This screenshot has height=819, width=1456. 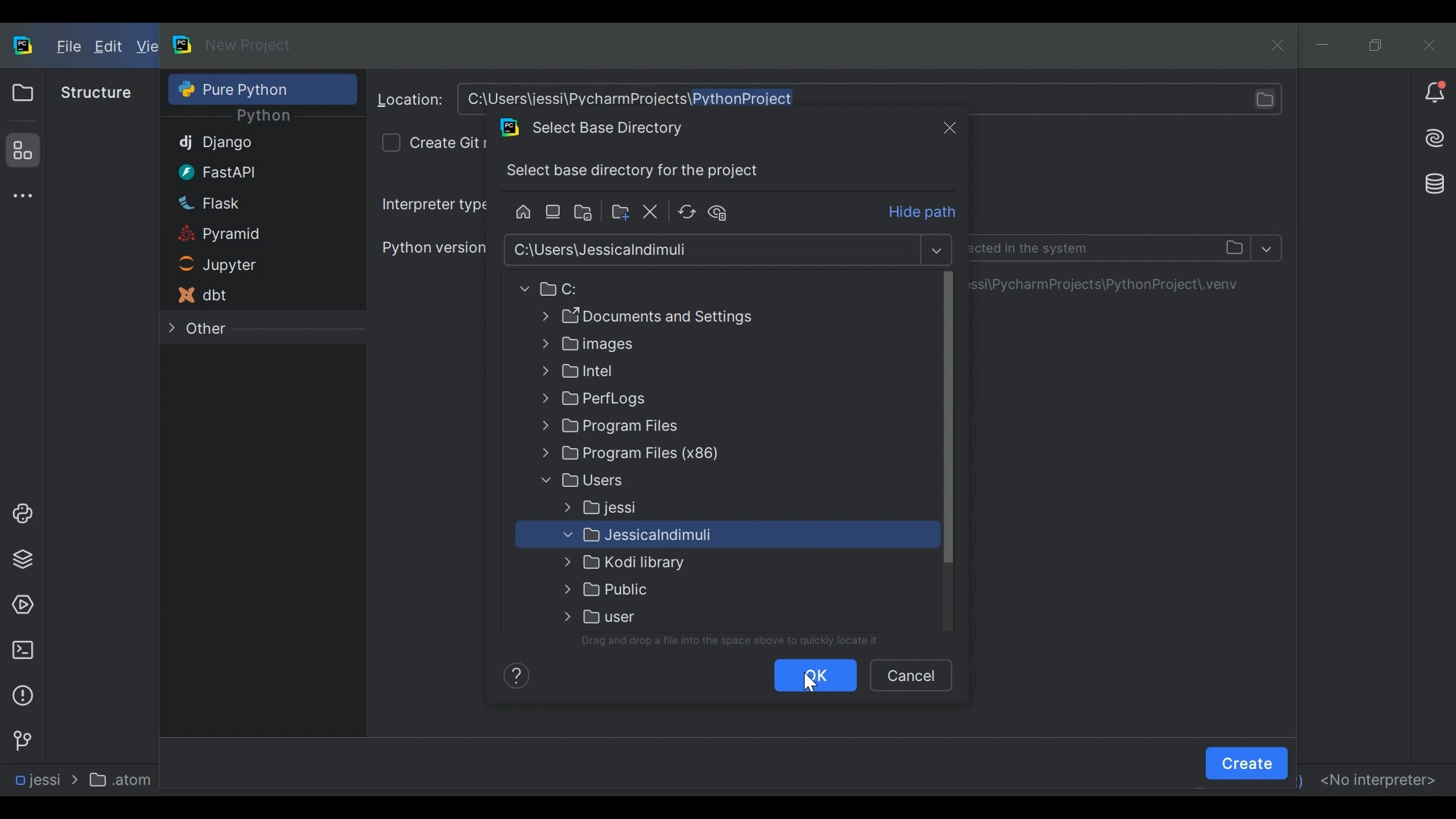 I want to click on Create, so click(x=1247, y=763).